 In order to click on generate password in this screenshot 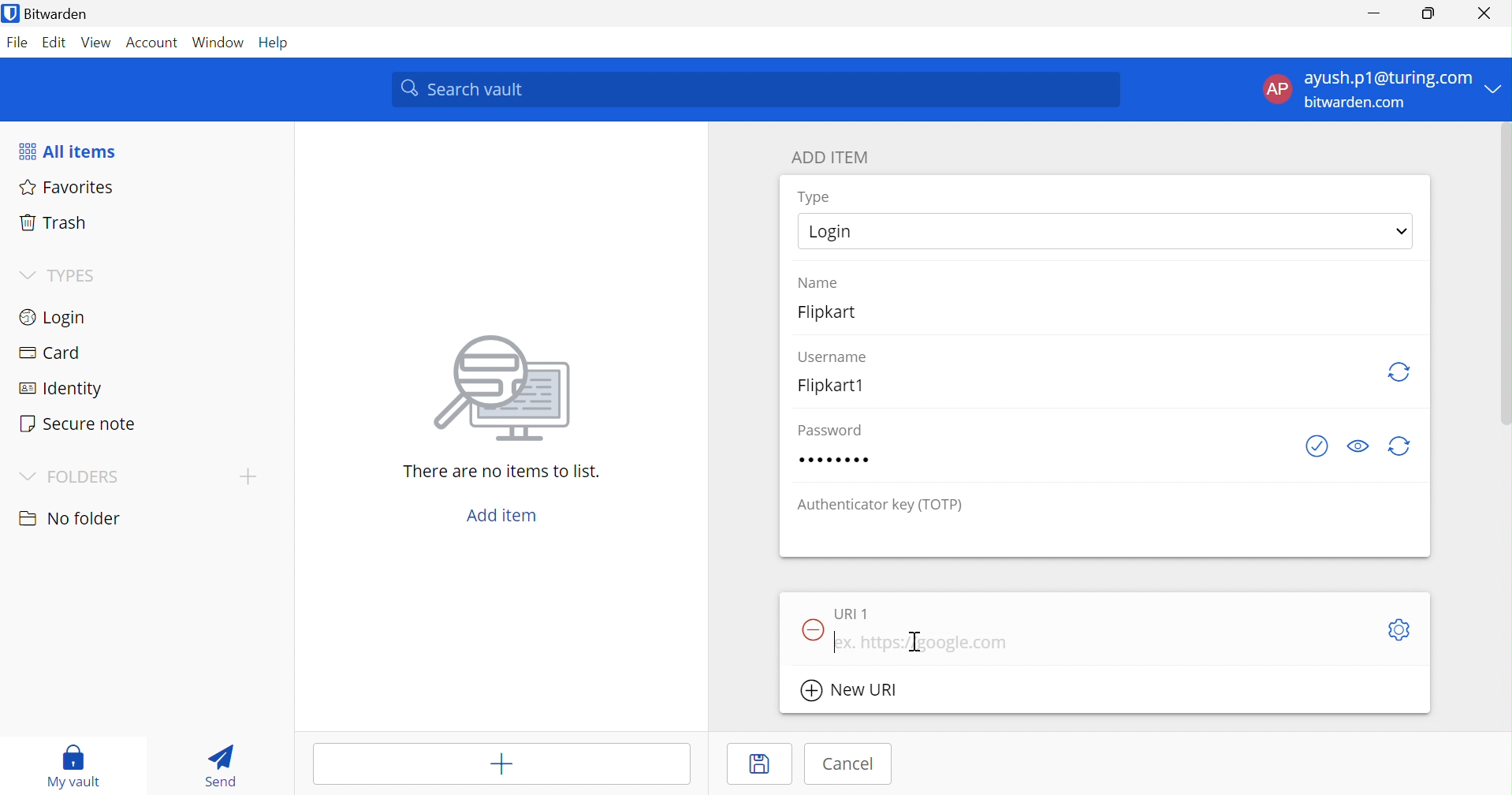, I will do `click(1400, 447)`.